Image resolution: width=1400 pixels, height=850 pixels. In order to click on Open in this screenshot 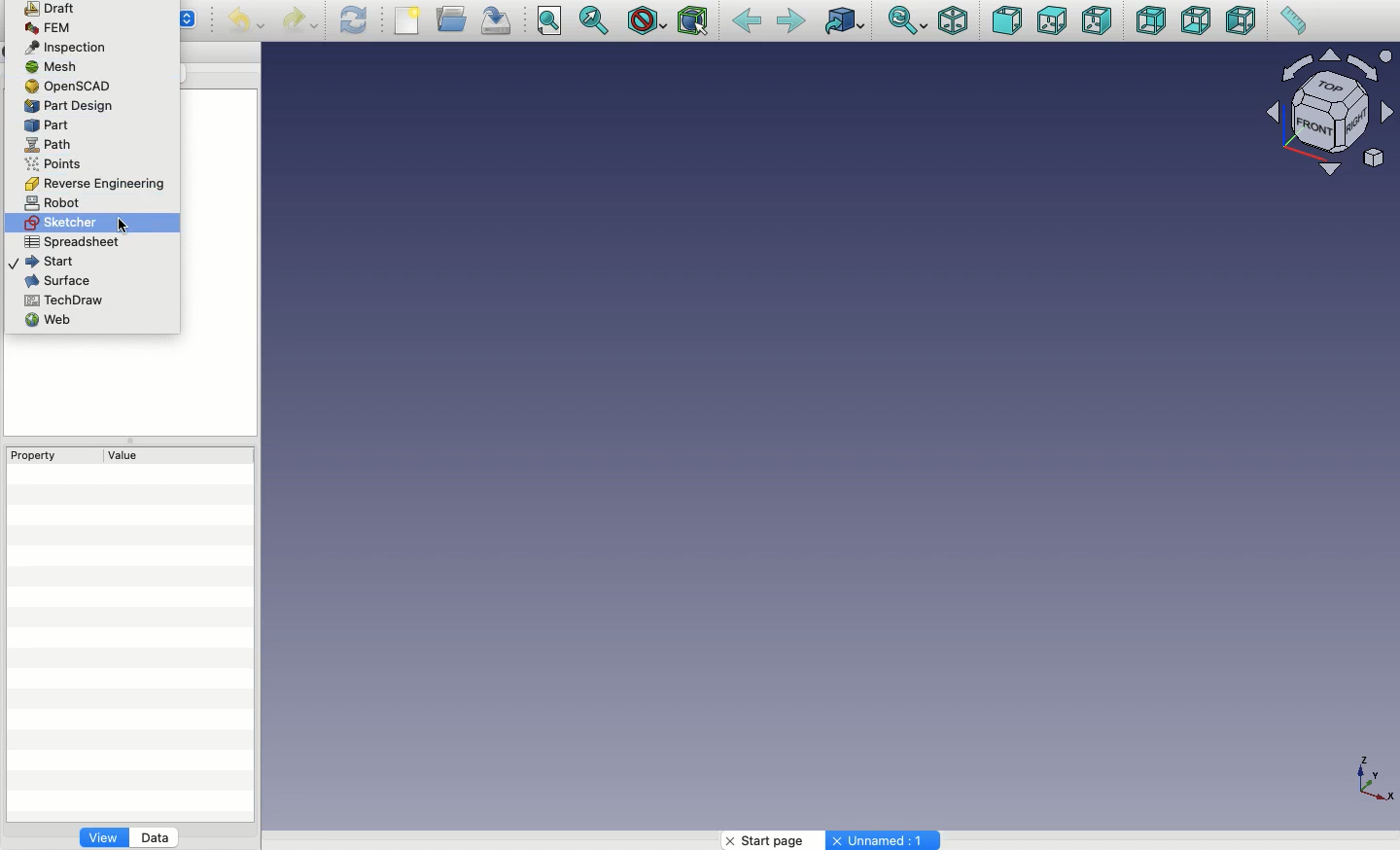, I will do `click(454, 18)`.